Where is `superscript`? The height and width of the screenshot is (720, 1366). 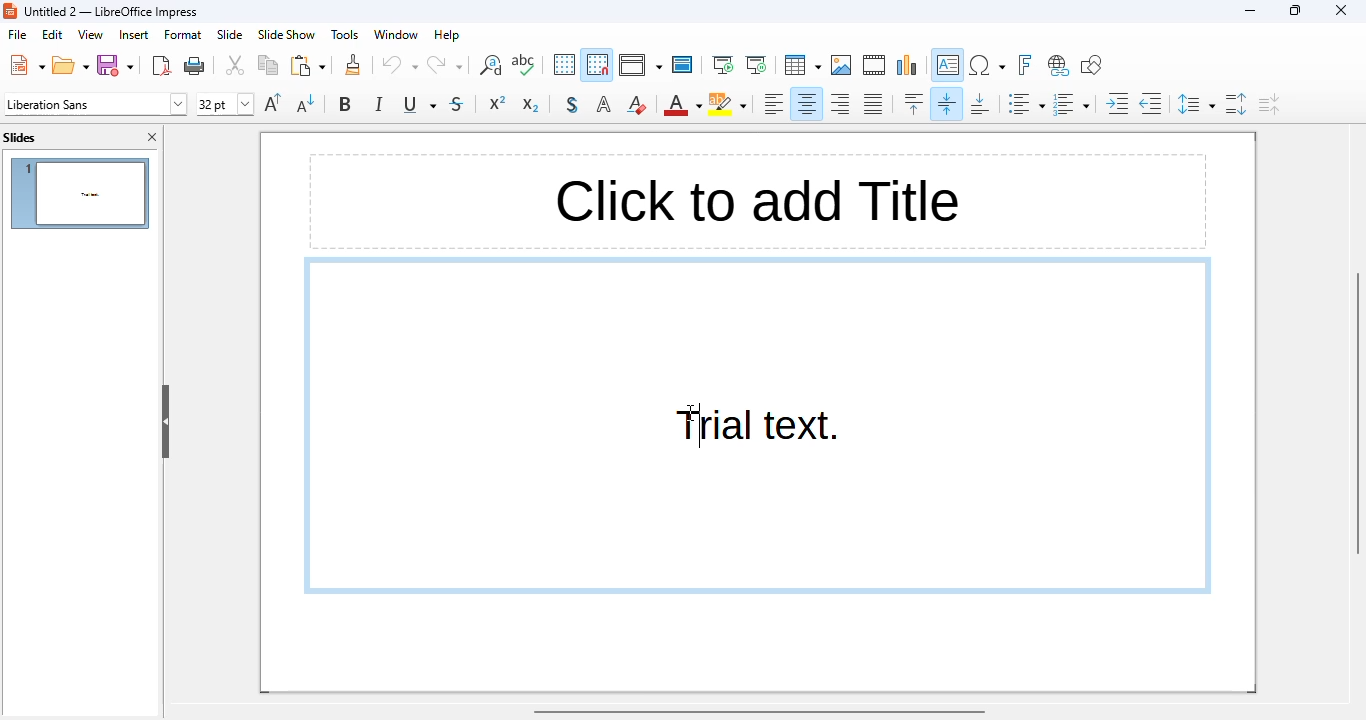 superscript is located at coordinates (497, 103).